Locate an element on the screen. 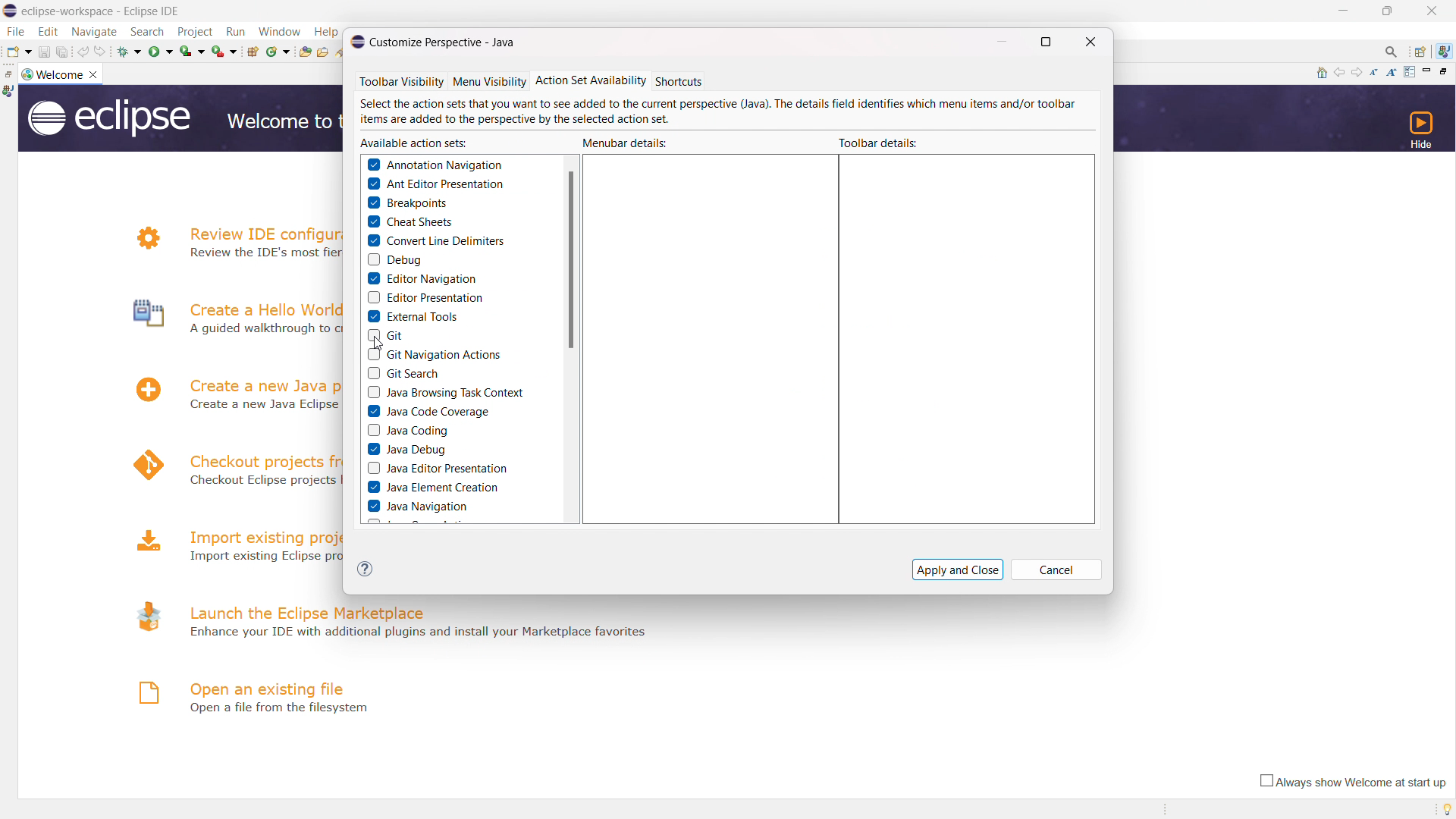 This screenshot has width=1456, height=819. coverage is located at coordinates (192, 51).